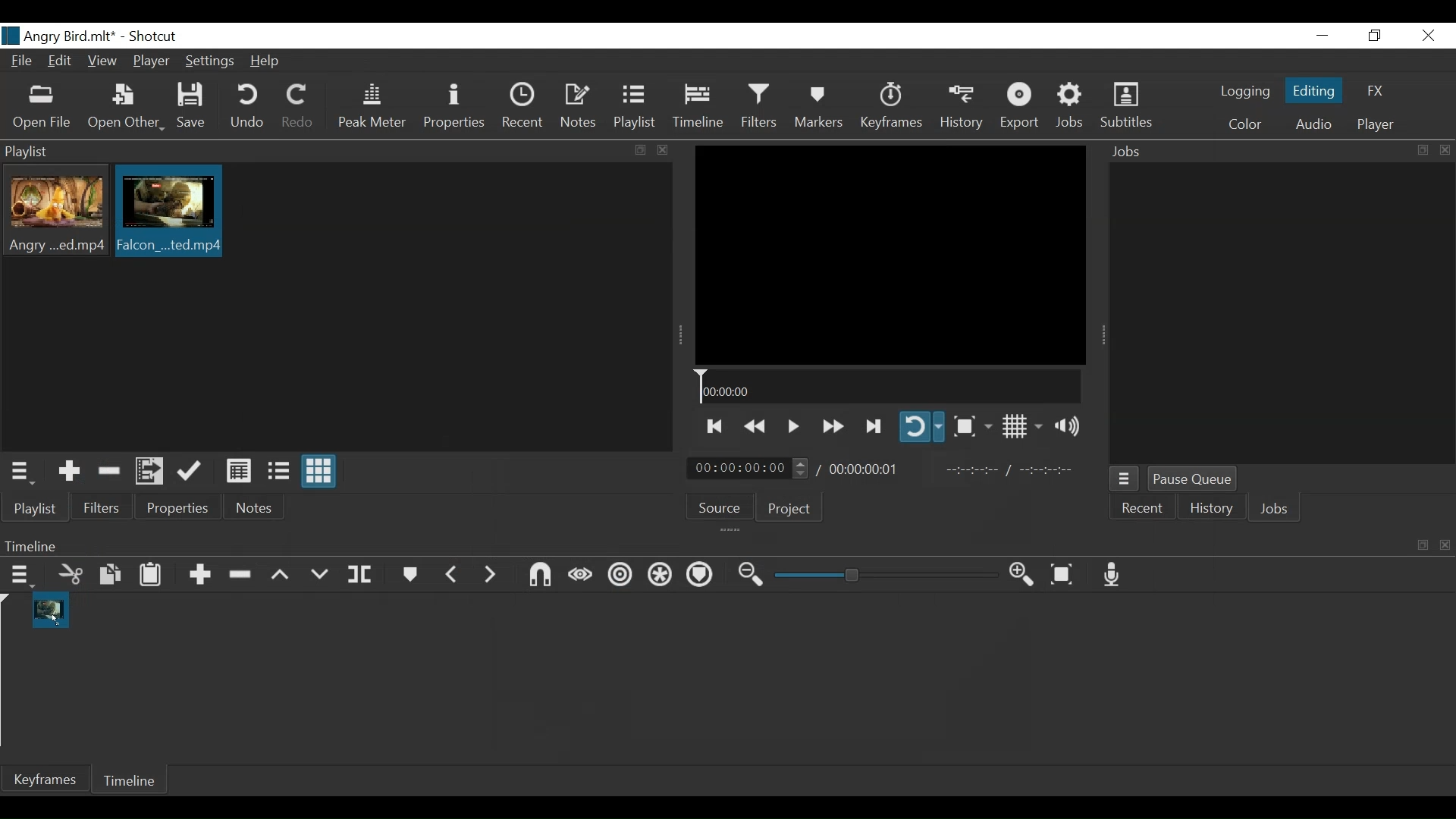 The image size is (1456, 819). Describe the element at coordinates (699, 576) in the screenshot. I see `Ripple all tracks` at that location.